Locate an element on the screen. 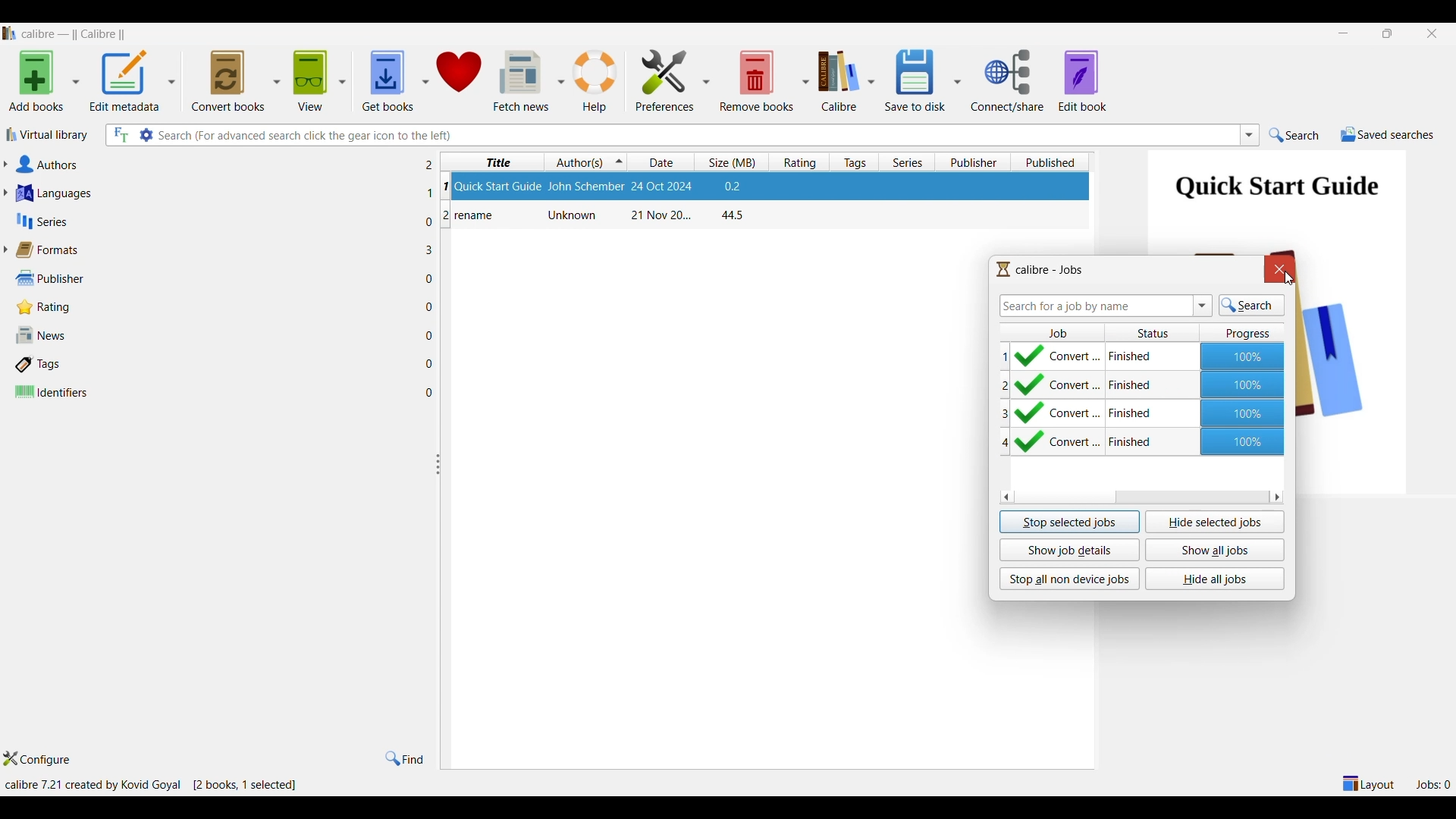  File in each adjacent attribute is located at coordinates (427, 279).